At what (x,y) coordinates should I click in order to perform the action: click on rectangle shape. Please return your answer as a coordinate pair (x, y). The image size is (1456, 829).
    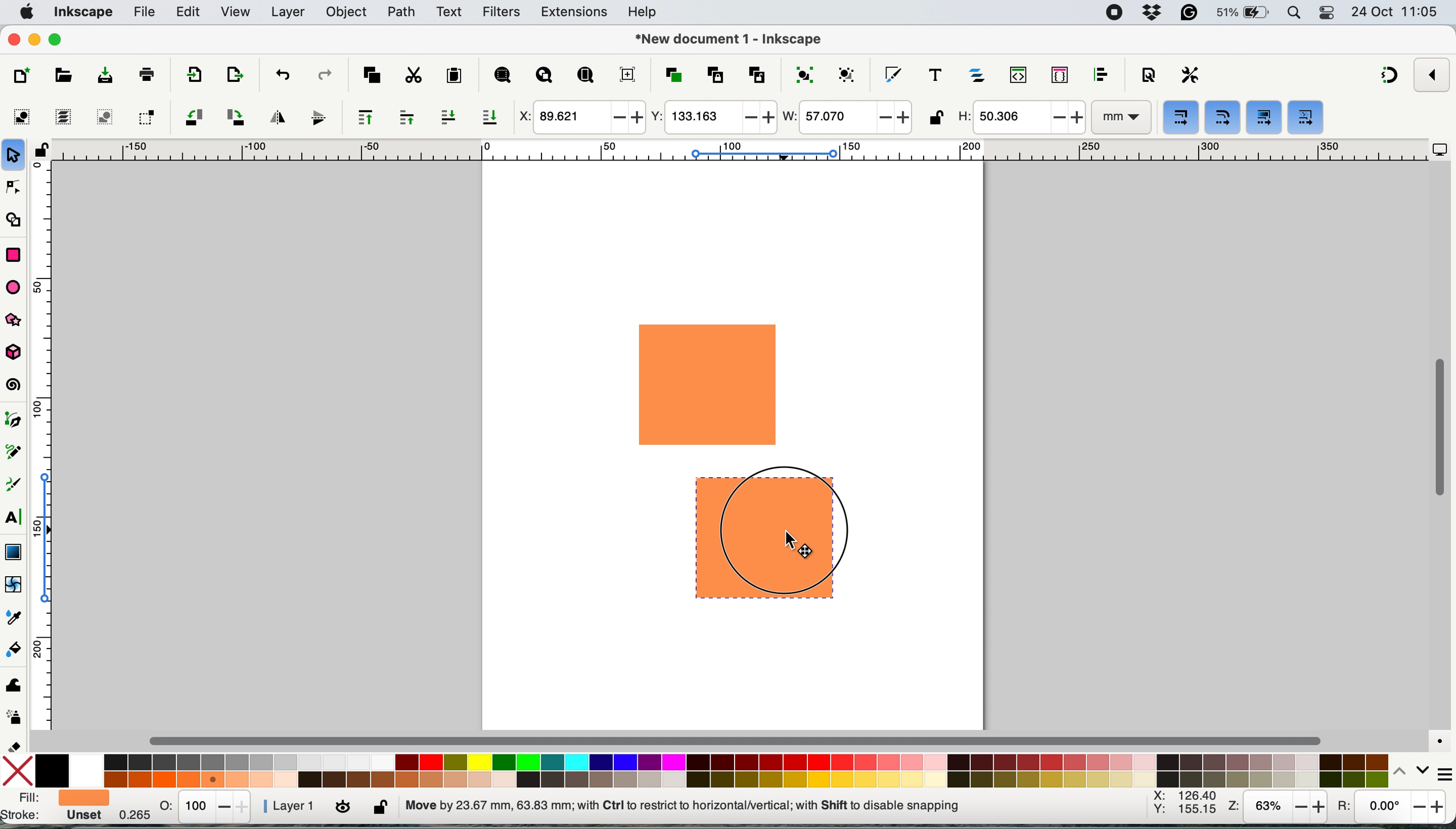
    Looking at the image, I should click on (708, 384).